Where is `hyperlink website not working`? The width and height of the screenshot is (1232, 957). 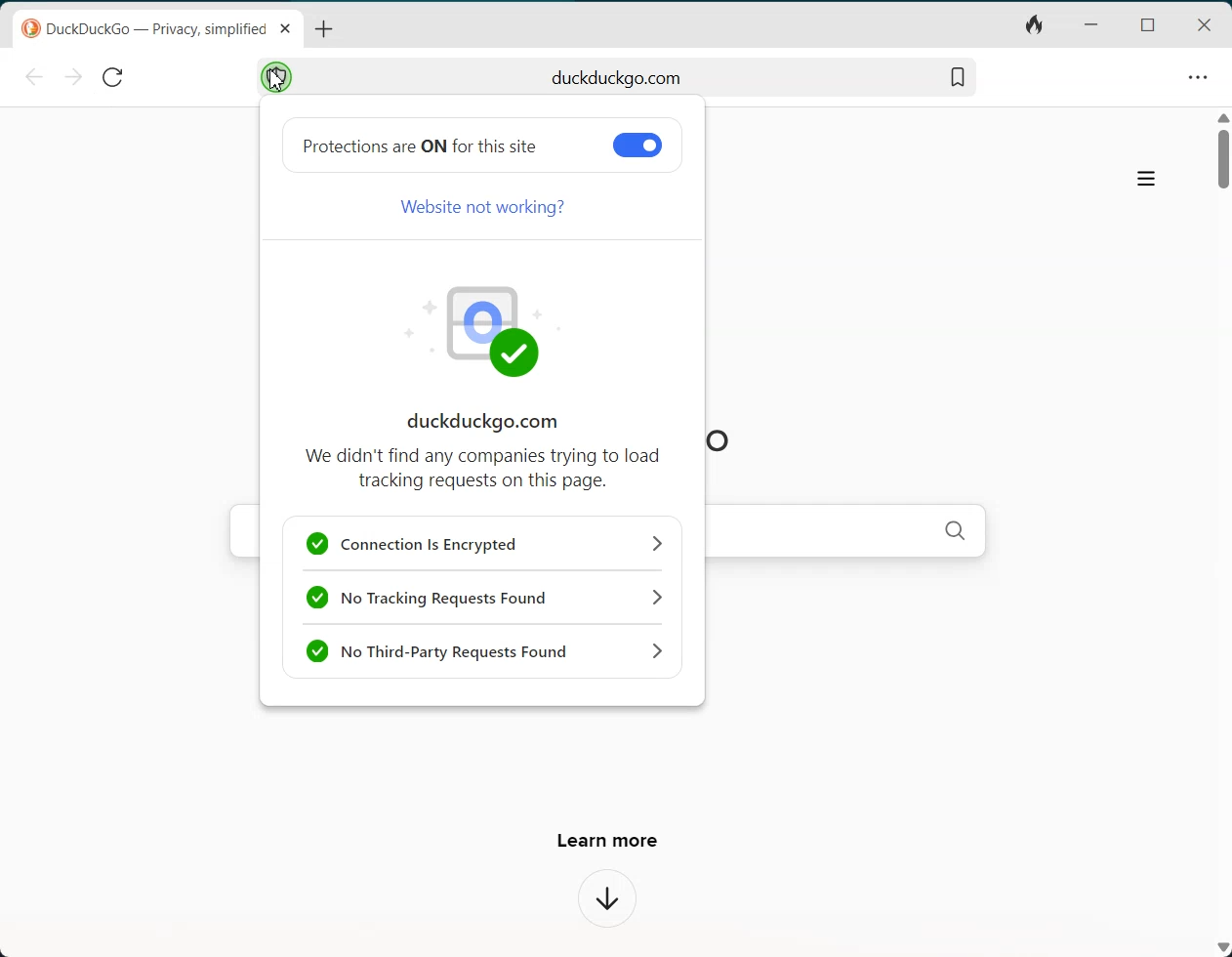
hyperlink website not working is located at coordinates (482, 207).